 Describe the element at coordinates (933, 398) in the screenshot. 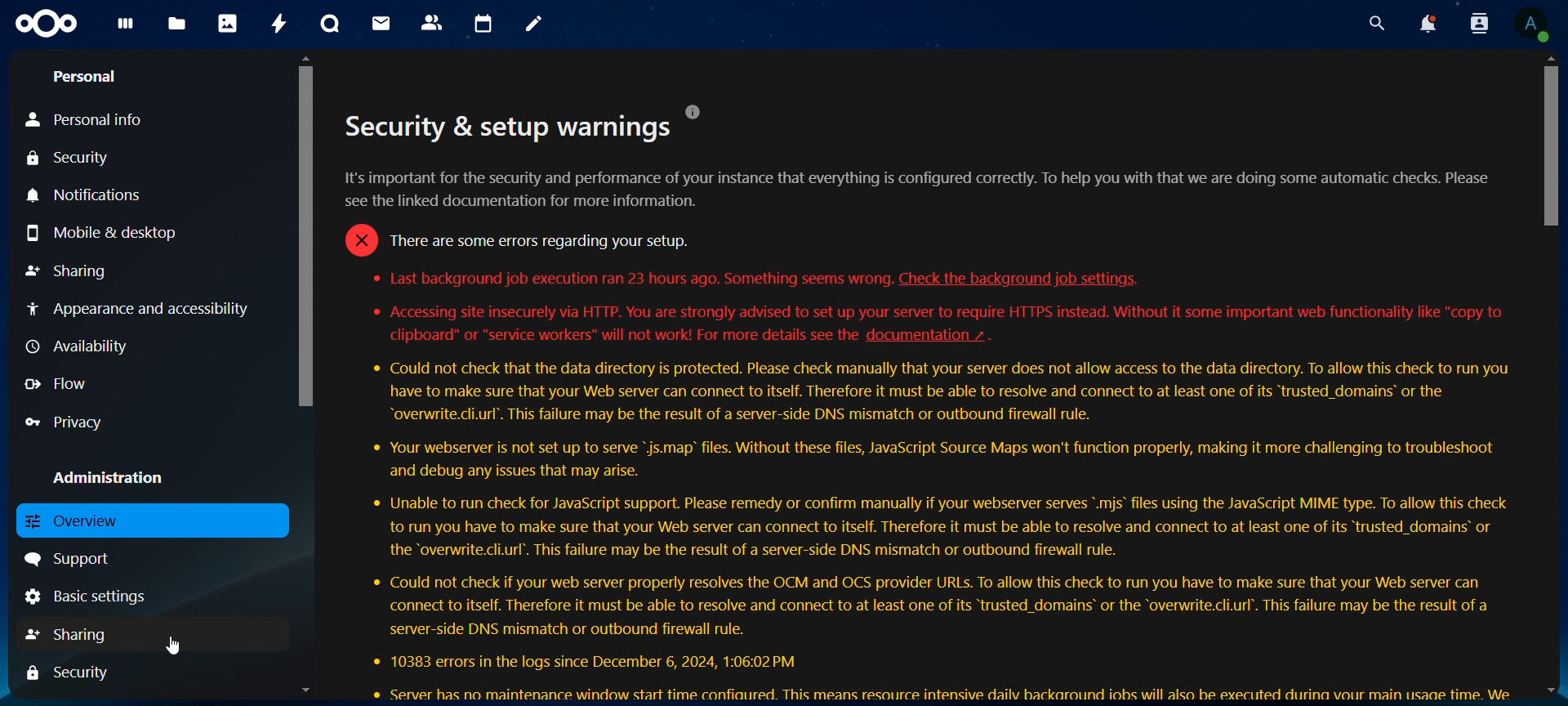

I see `text` at that location.